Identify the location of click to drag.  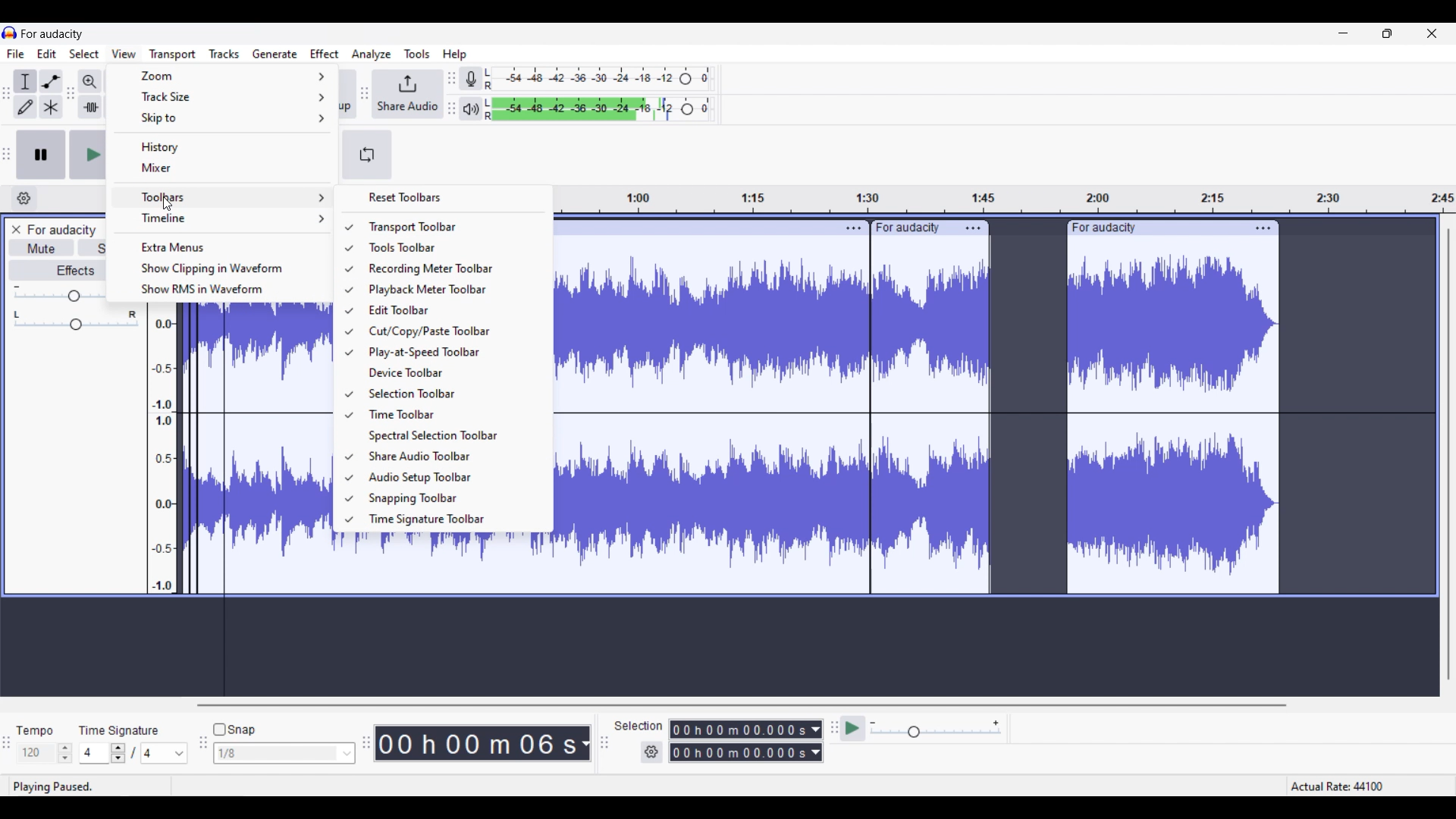
(1154, 227).